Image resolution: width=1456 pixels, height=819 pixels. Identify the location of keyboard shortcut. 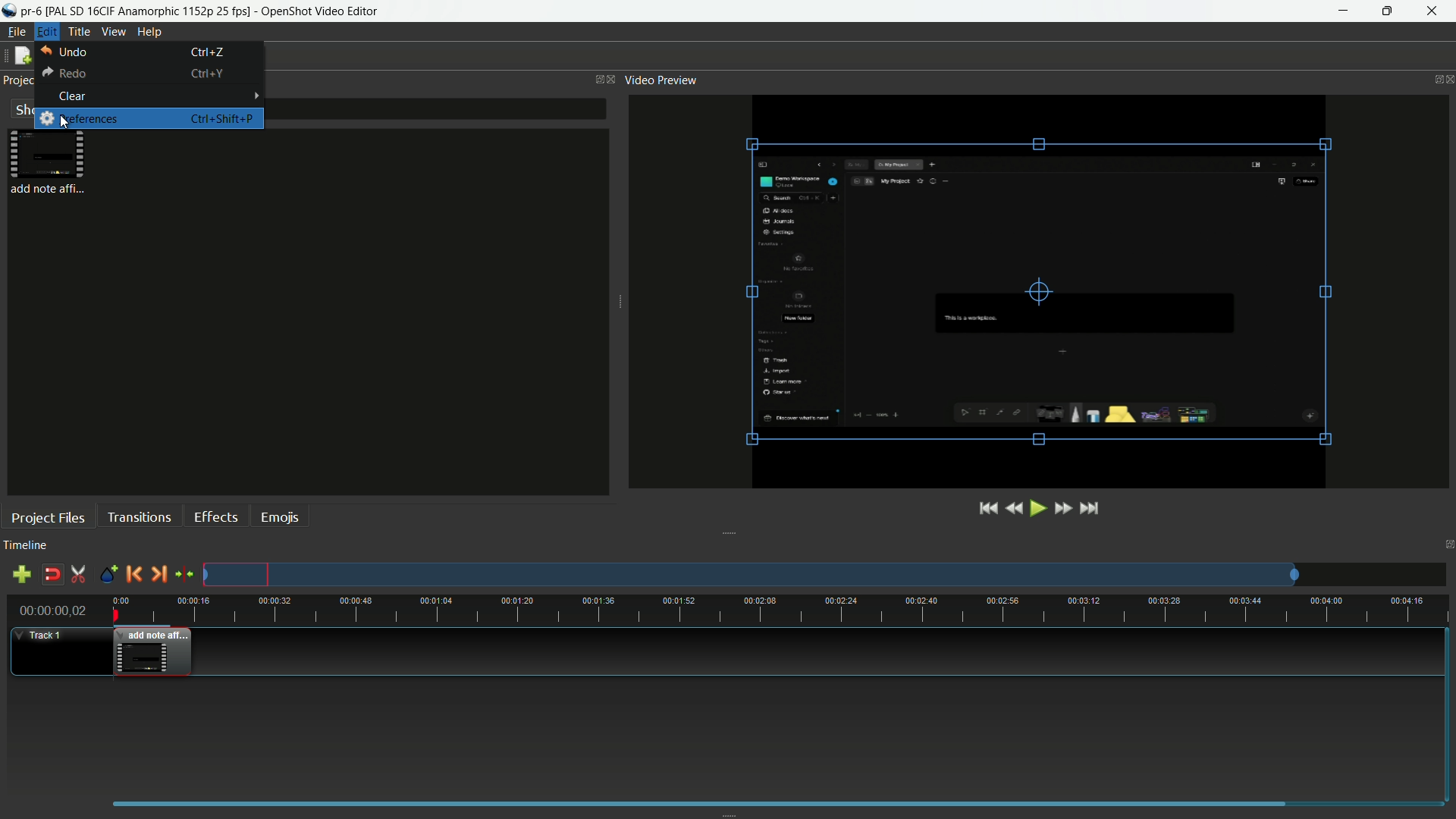
(206, 74).